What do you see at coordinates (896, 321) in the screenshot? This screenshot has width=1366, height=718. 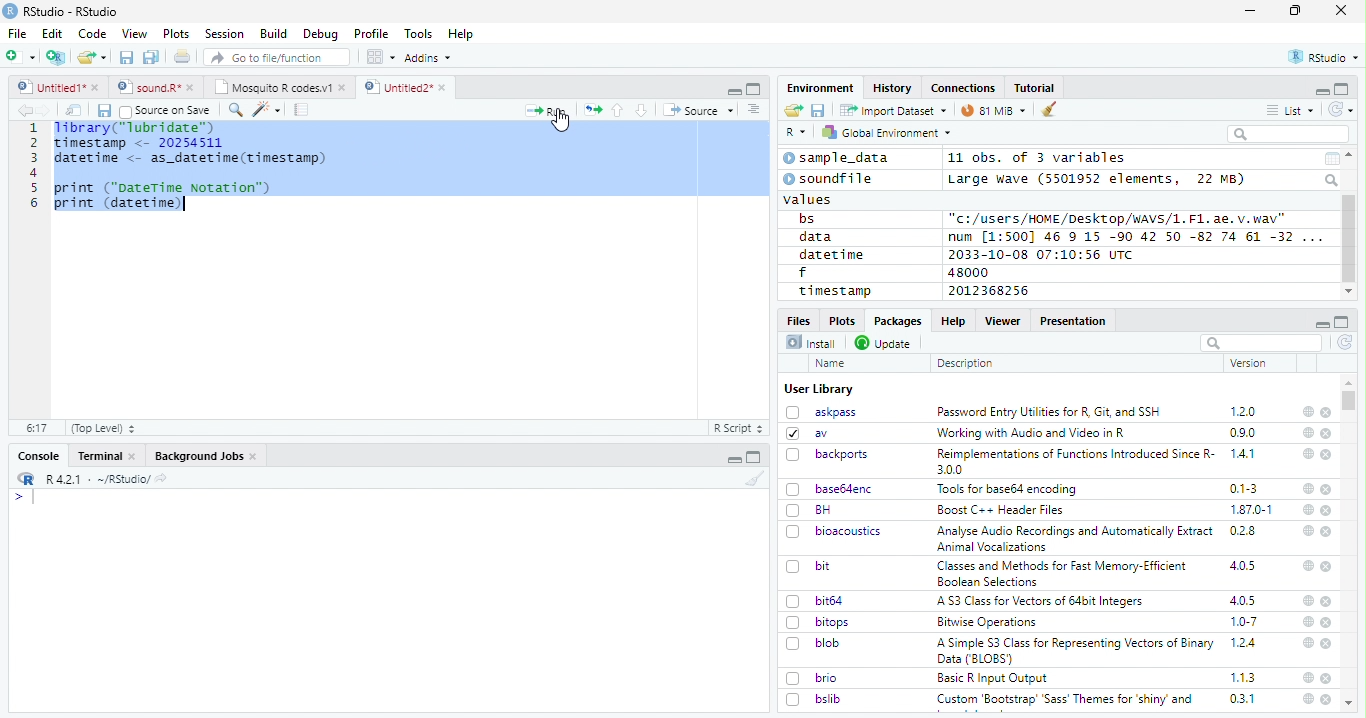 I see `Packages` at bounding box center [896, 321].